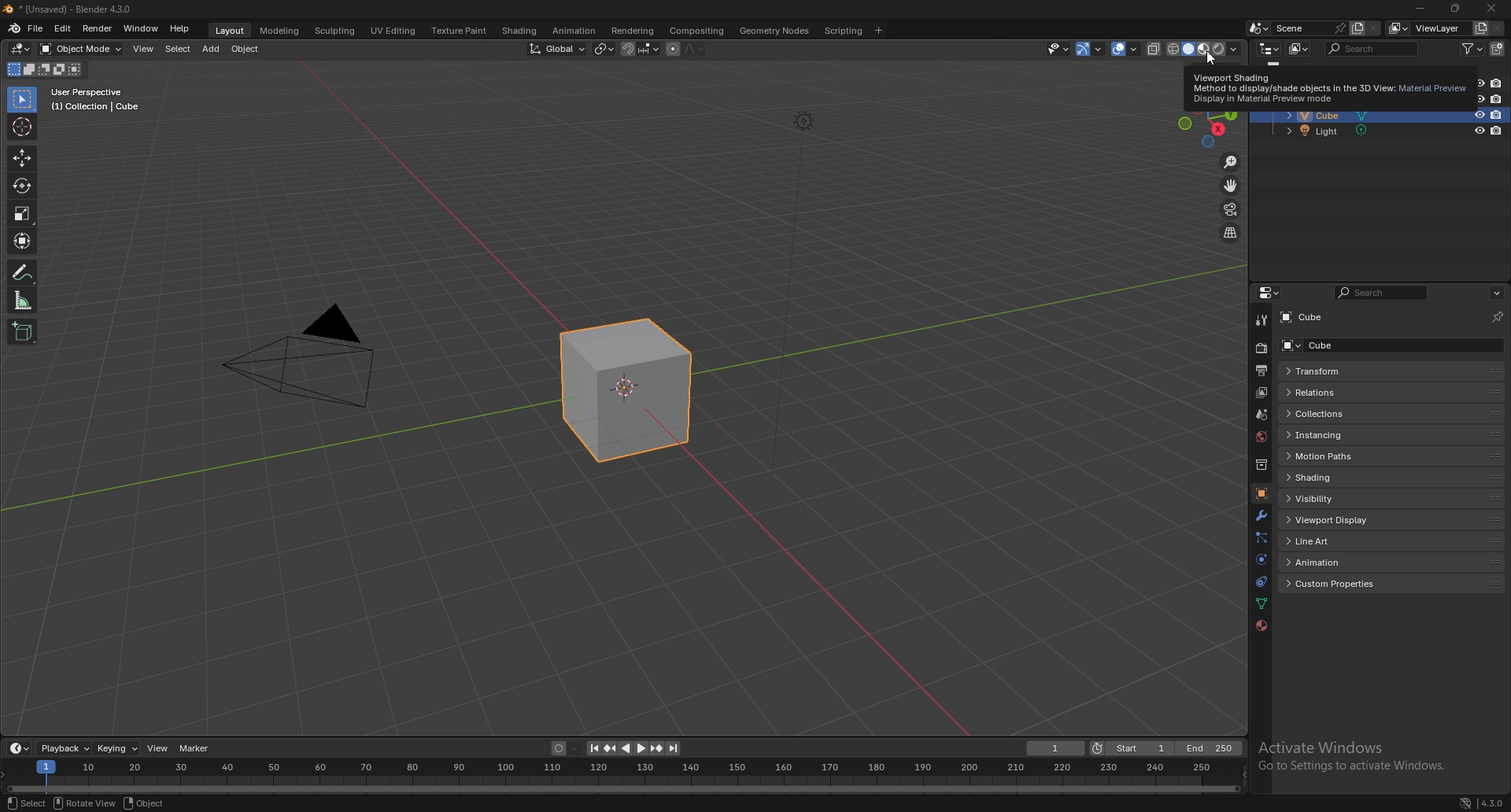 The width and height of the screenshot is (1511, 812). What do you see at coordinates (1496, 100) in the screenshot?
I see `disable in renders` at bounding box center [1496, 100].